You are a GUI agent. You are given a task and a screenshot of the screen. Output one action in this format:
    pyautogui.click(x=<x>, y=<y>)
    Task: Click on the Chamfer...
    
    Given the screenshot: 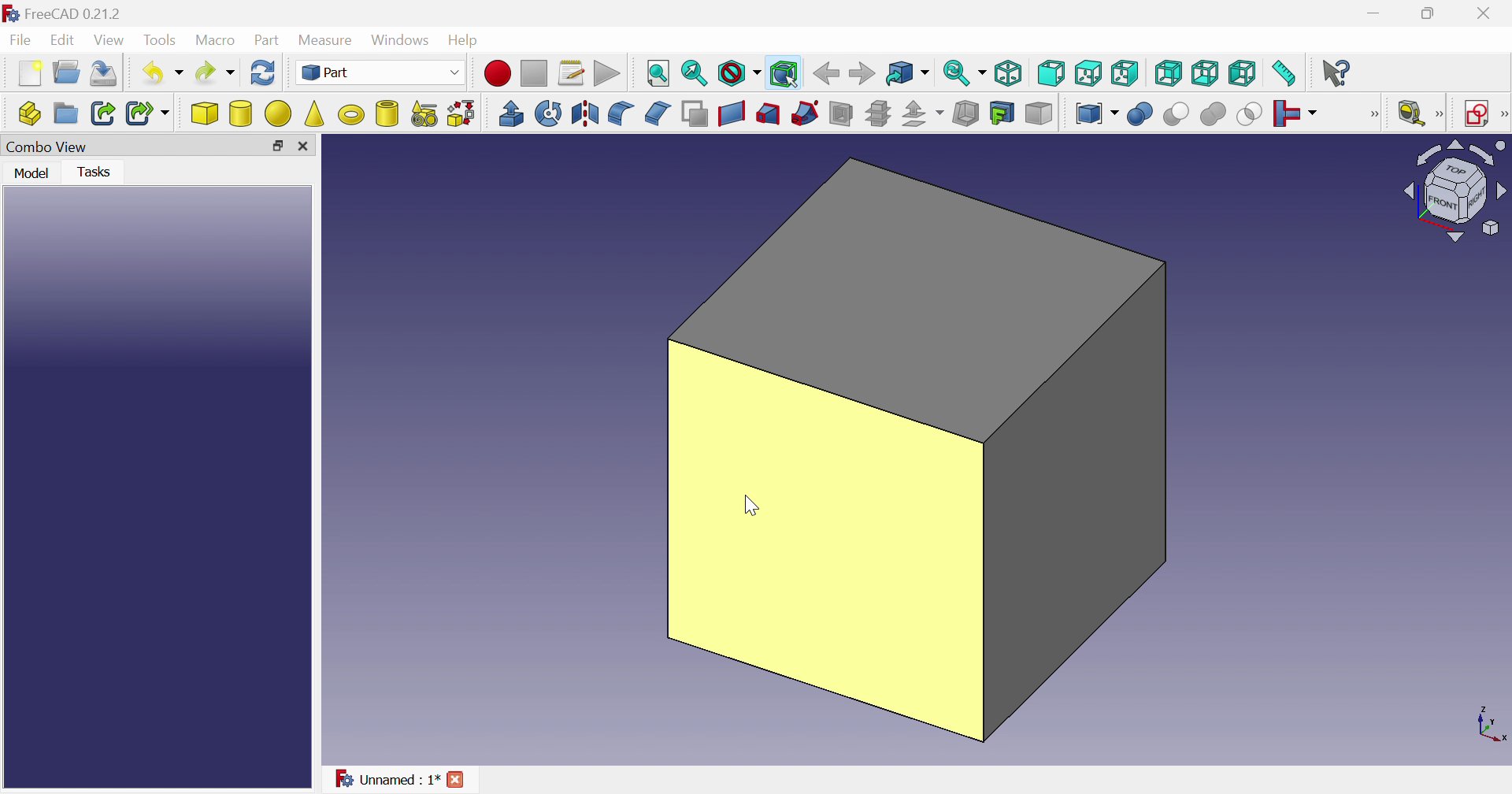 What is the action you would take?
    pyautogui.click(x=656, y=112)
    